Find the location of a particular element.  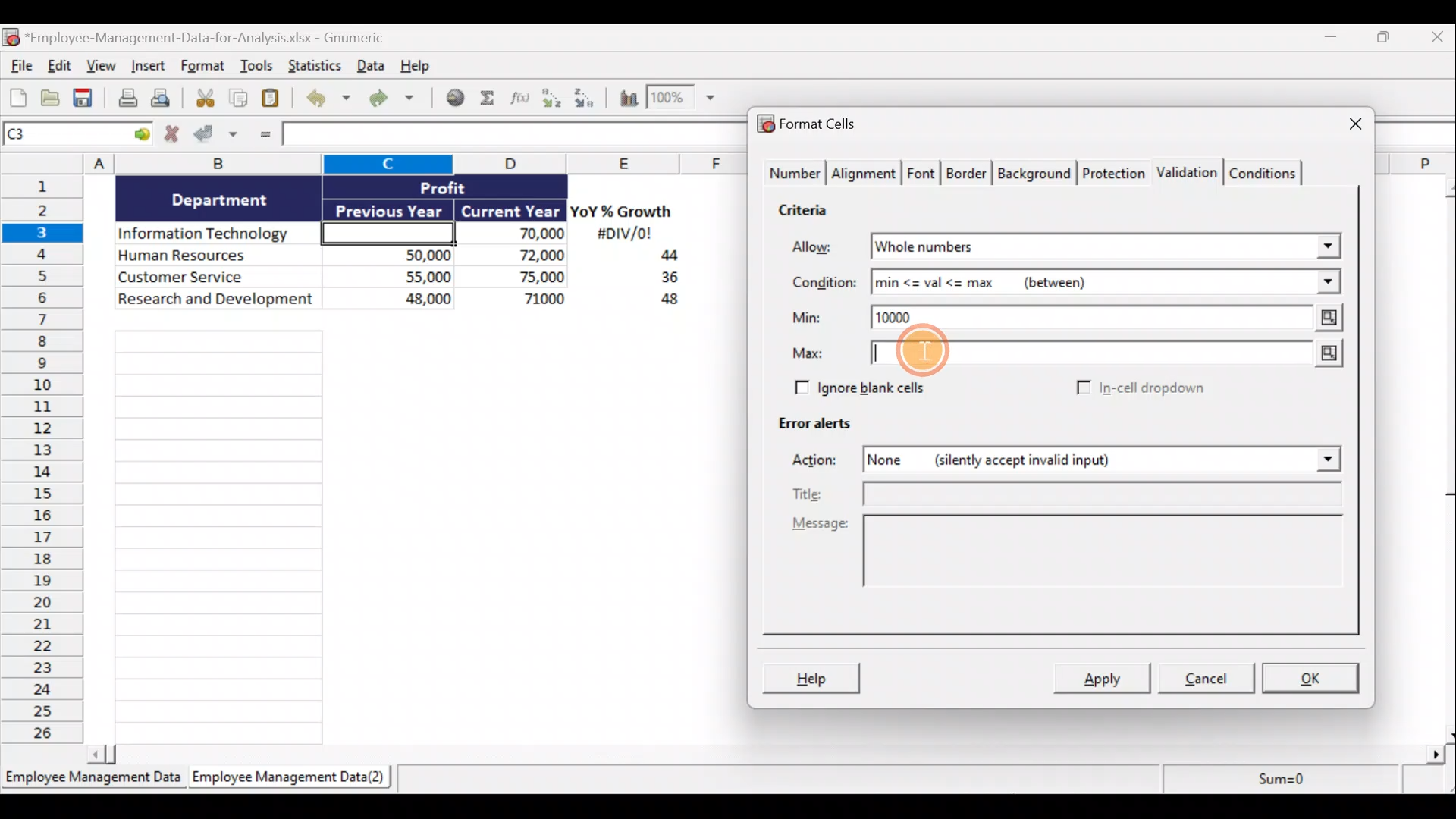

70,000 is located at coordinates (519, 234).